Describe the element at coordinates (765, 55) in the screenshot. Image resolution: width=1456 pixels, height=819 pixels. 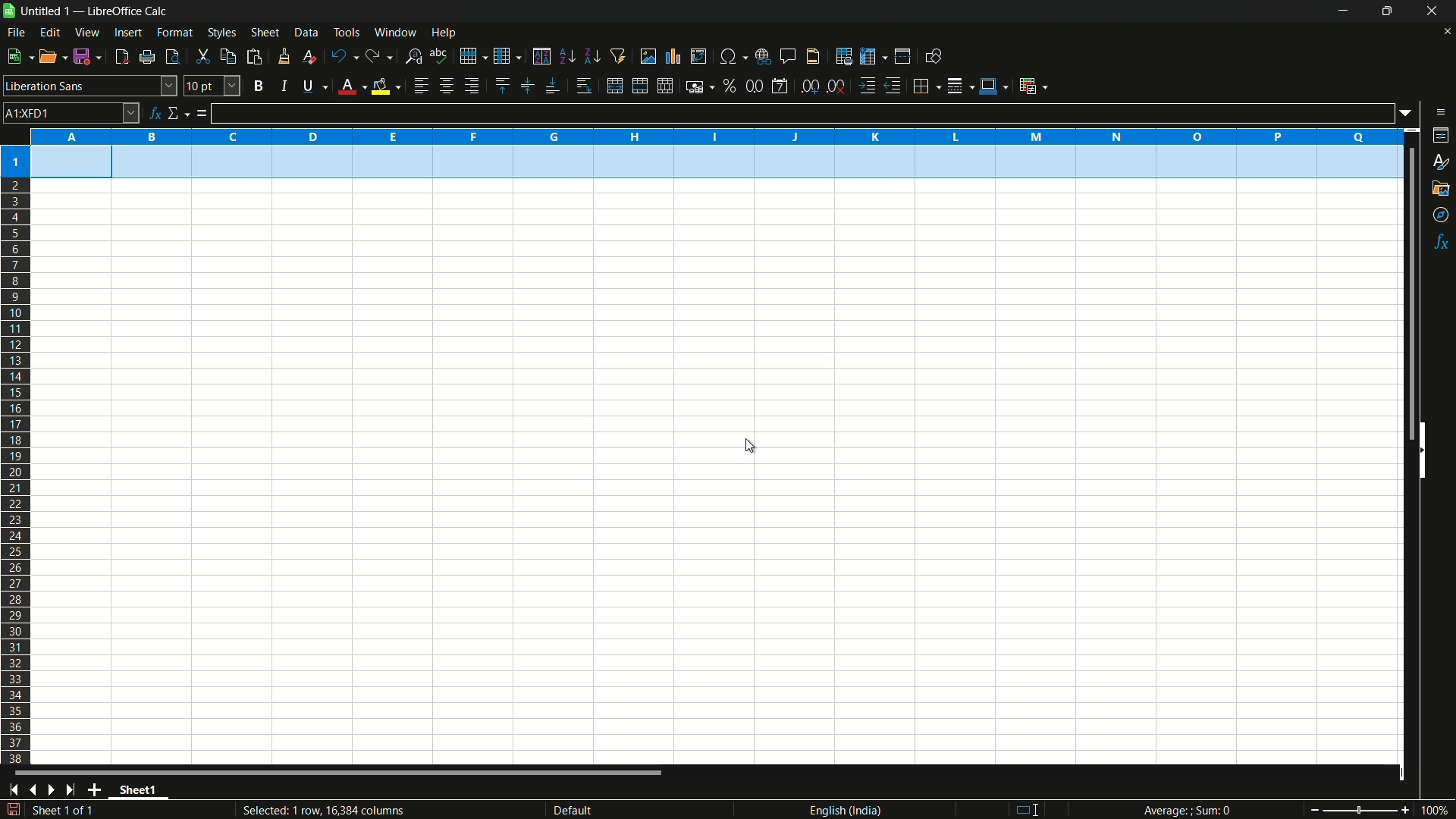
I see `insert hyperlink` at that location.